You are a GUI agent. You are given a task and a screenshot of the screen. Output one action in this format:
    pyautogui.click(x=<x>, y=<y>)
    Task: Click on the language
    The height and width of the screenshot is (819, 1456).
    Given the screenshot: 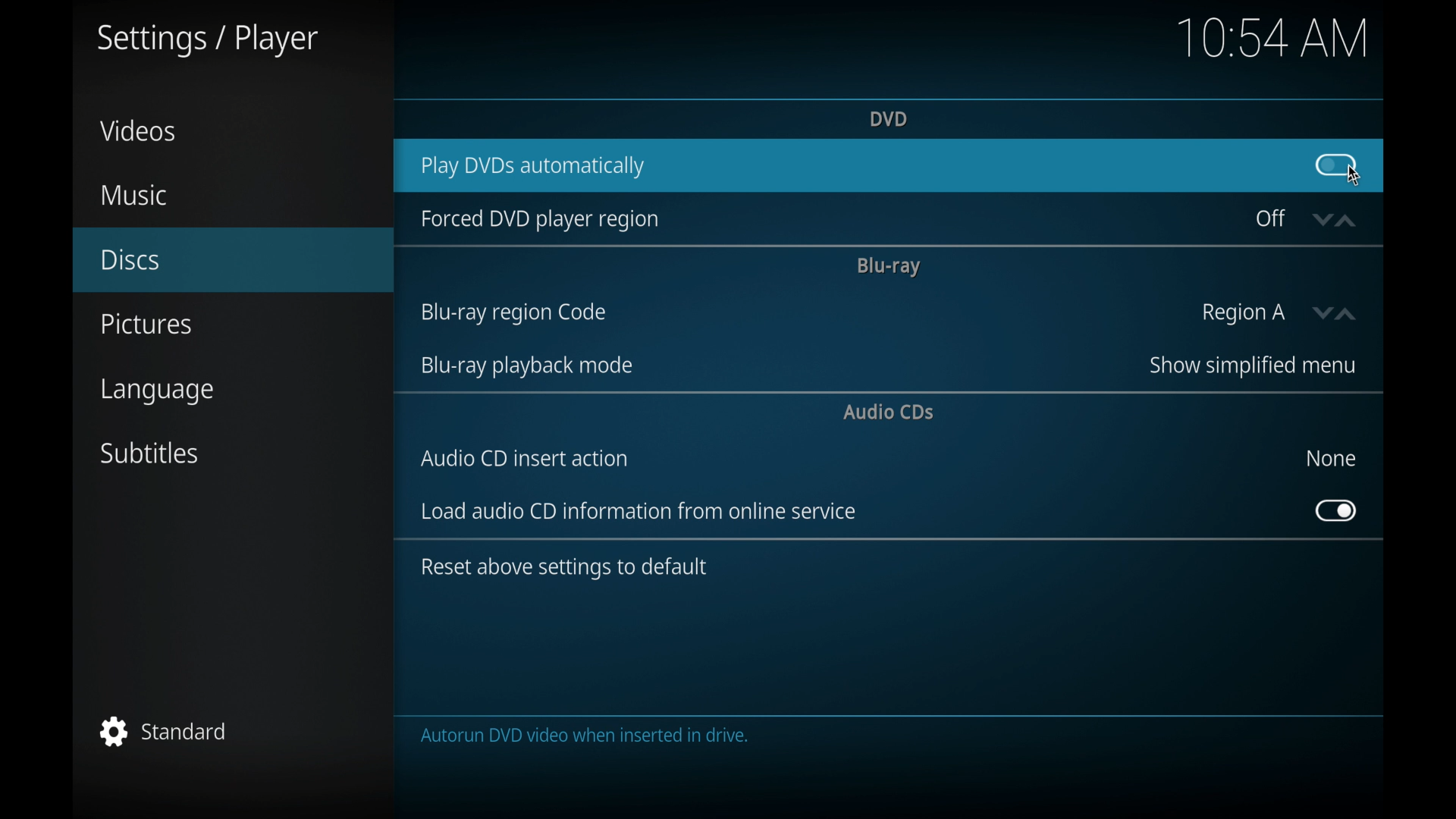 What is the action you would take?
    pyautogui.click(x=159, y=393)
    